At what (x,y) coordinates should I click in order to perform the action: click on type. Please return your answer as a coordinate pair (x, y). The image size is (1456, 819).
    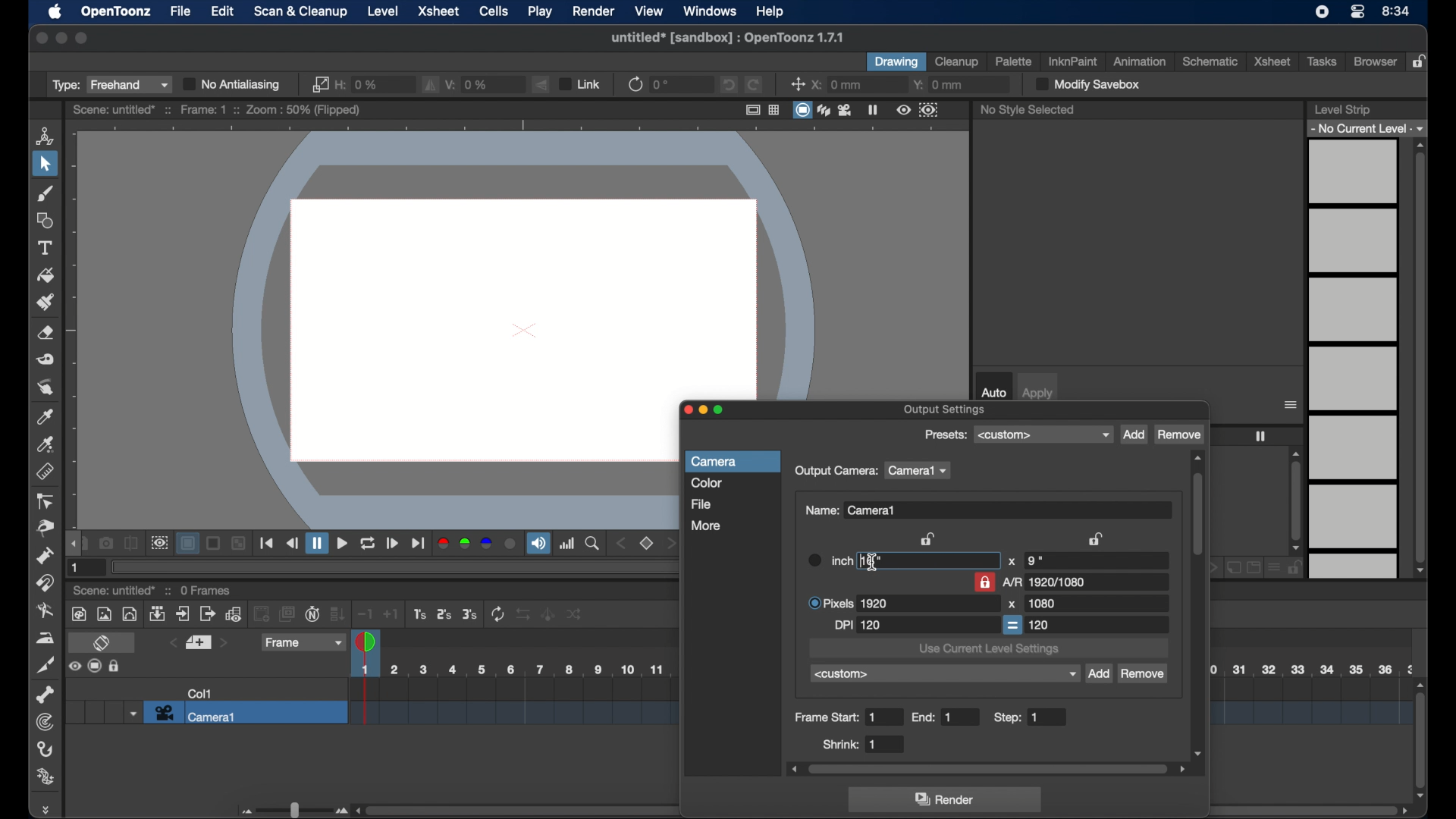
    Looking at the image, I should click on (110, 84).